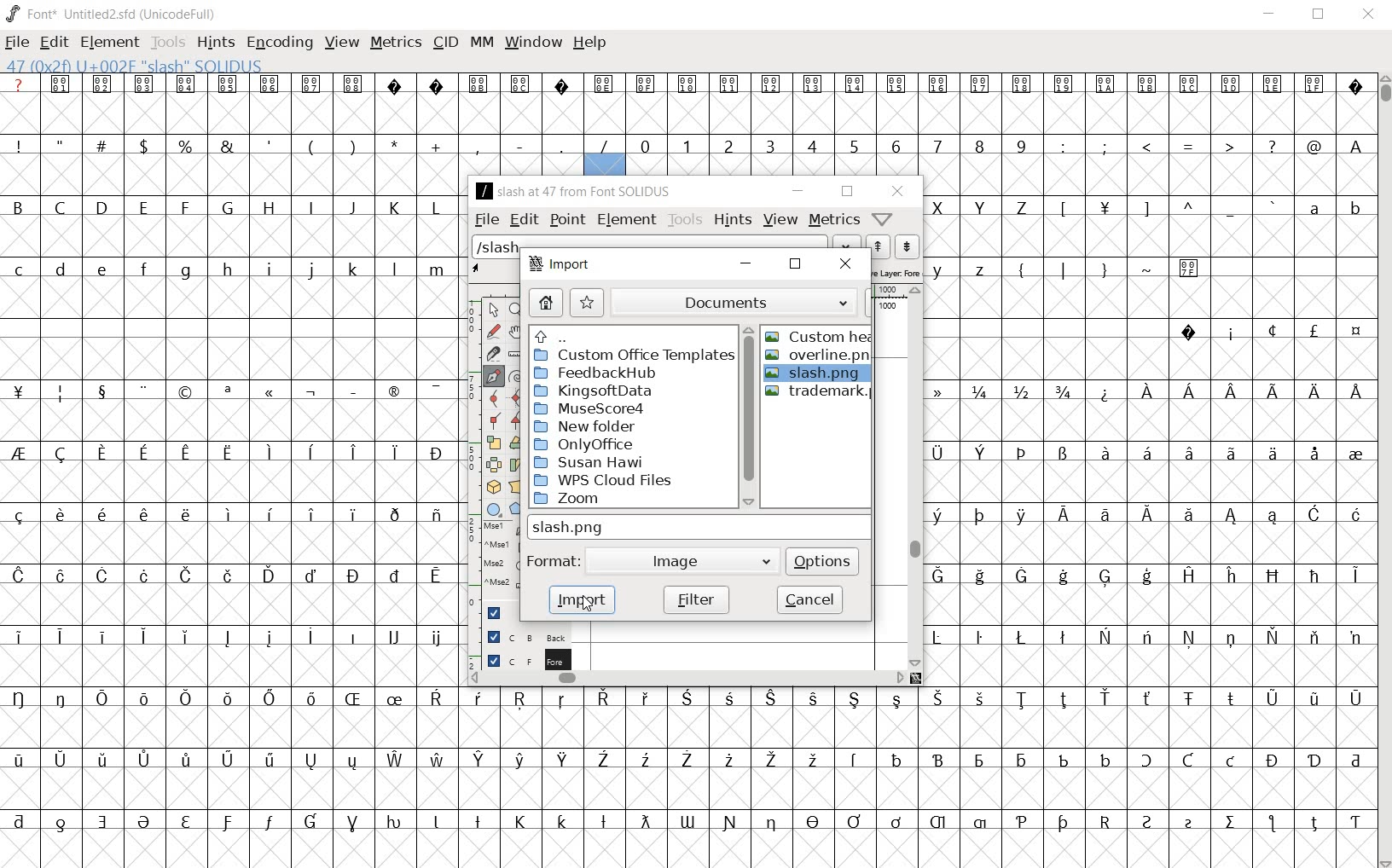 The width and height of the screenshot is (1392, 868). What do you see at coordinates (499, 555) in the screenshot?
I see `mse1 mse1 mse2 mse2` at bounding box center [499, 555].